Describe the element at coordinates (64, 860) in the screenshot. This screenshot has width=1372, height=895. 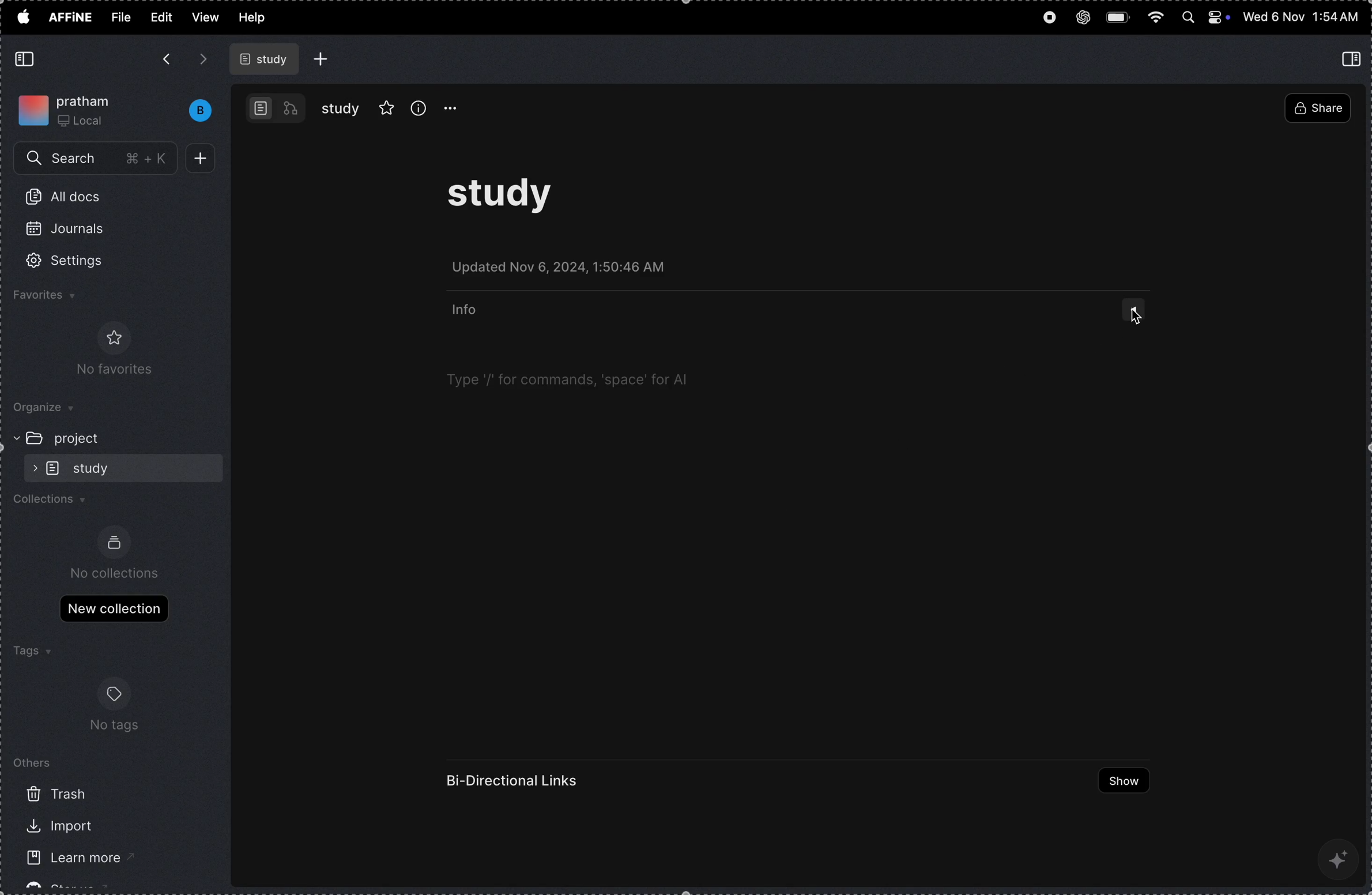
I see `learn` at that location.